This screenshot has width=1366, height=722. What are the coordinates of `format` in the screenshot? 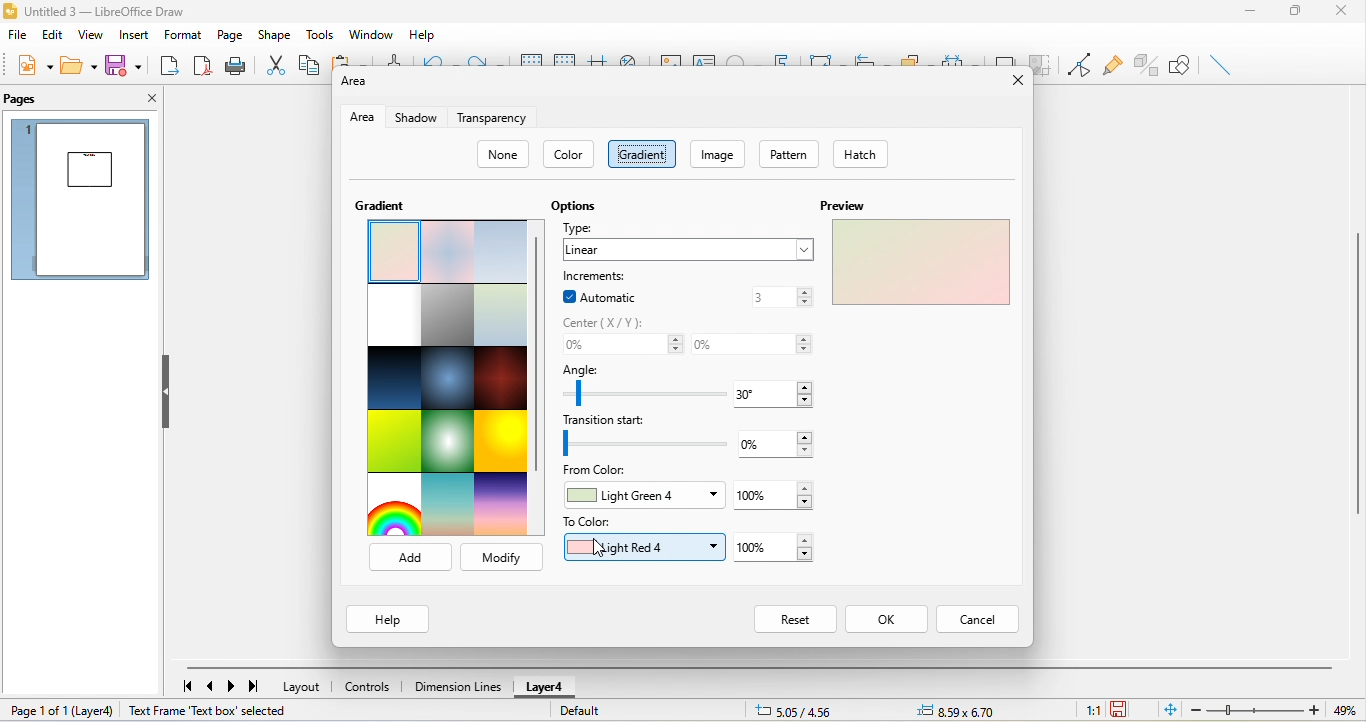 It's located at (180, 35).